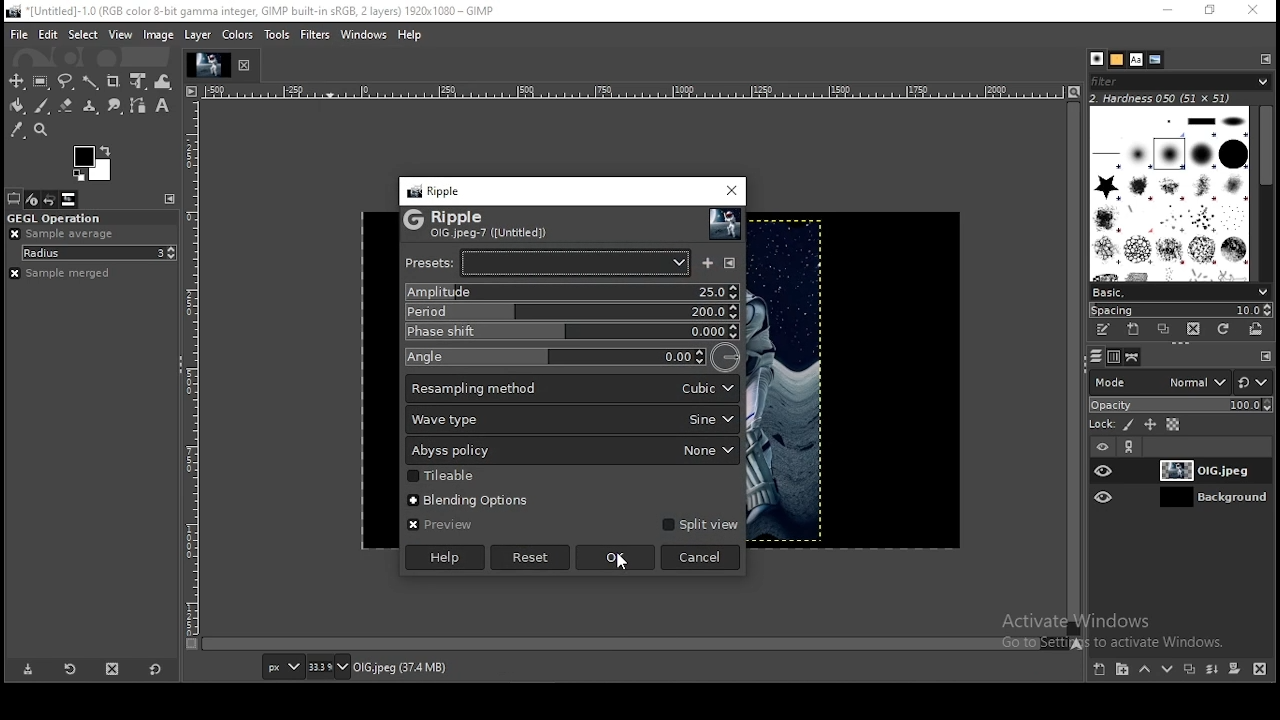  I want to click on gegl operation, so click(89, 218).